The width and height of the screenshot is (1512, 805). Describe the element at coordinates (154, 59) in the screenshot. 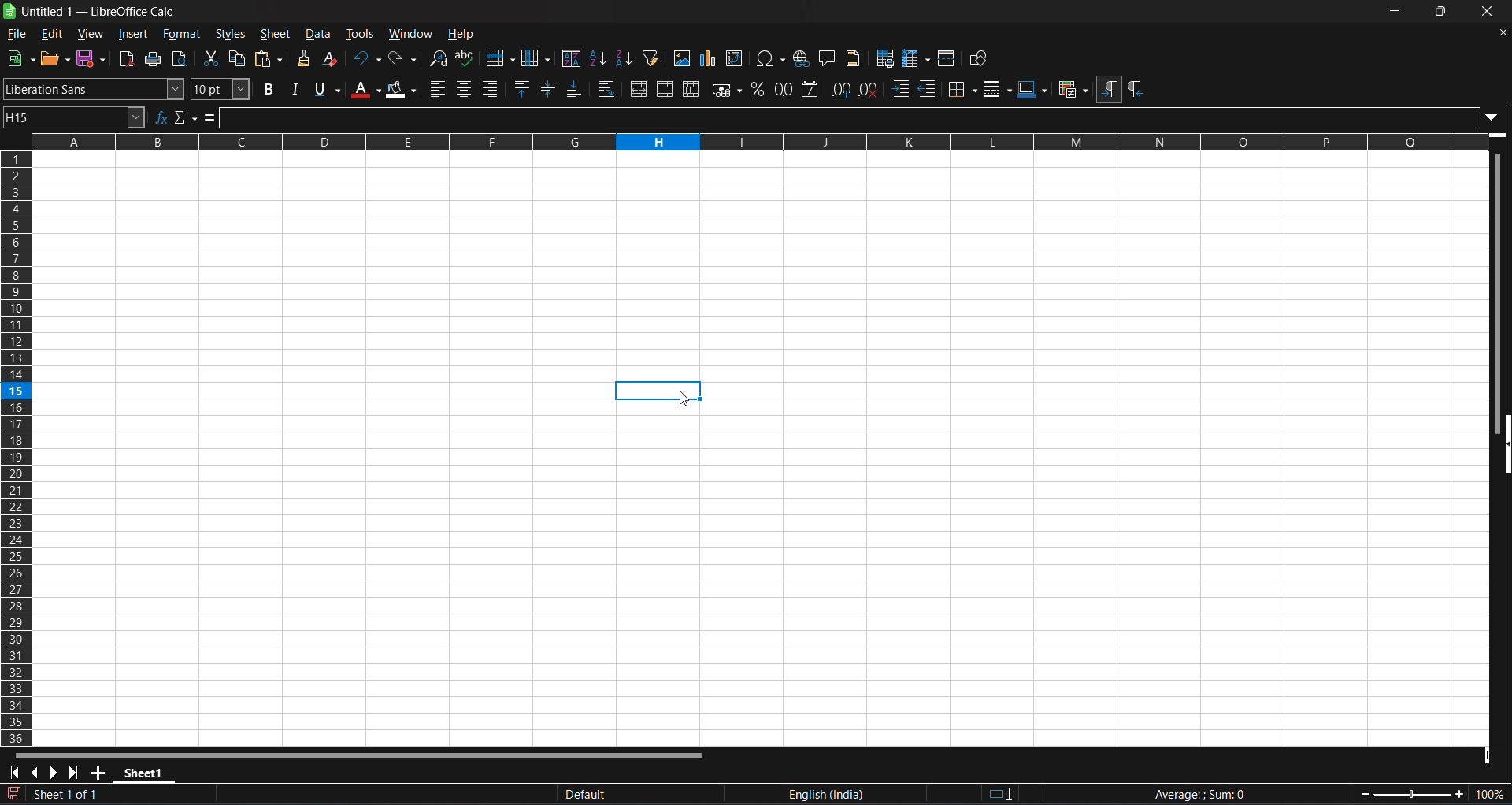

I see `print` at that location.